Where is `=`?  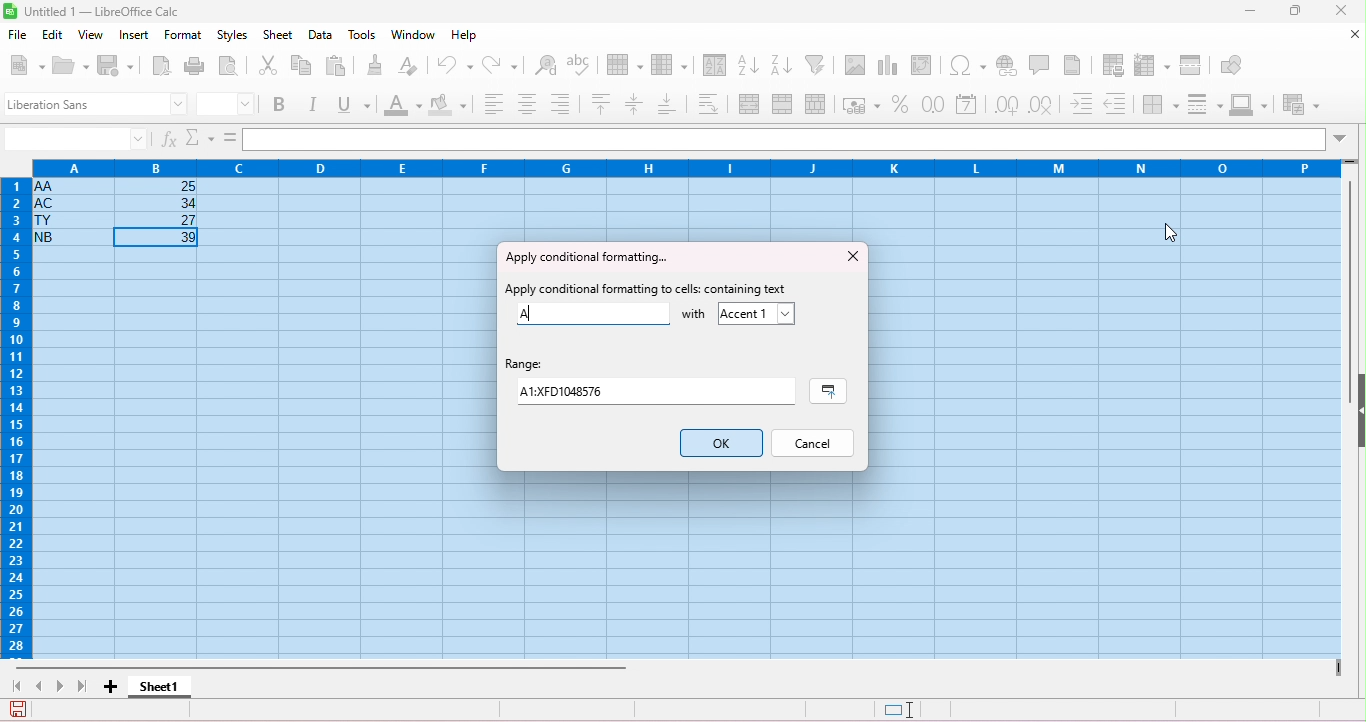 = is located at coordinates (231, 138).